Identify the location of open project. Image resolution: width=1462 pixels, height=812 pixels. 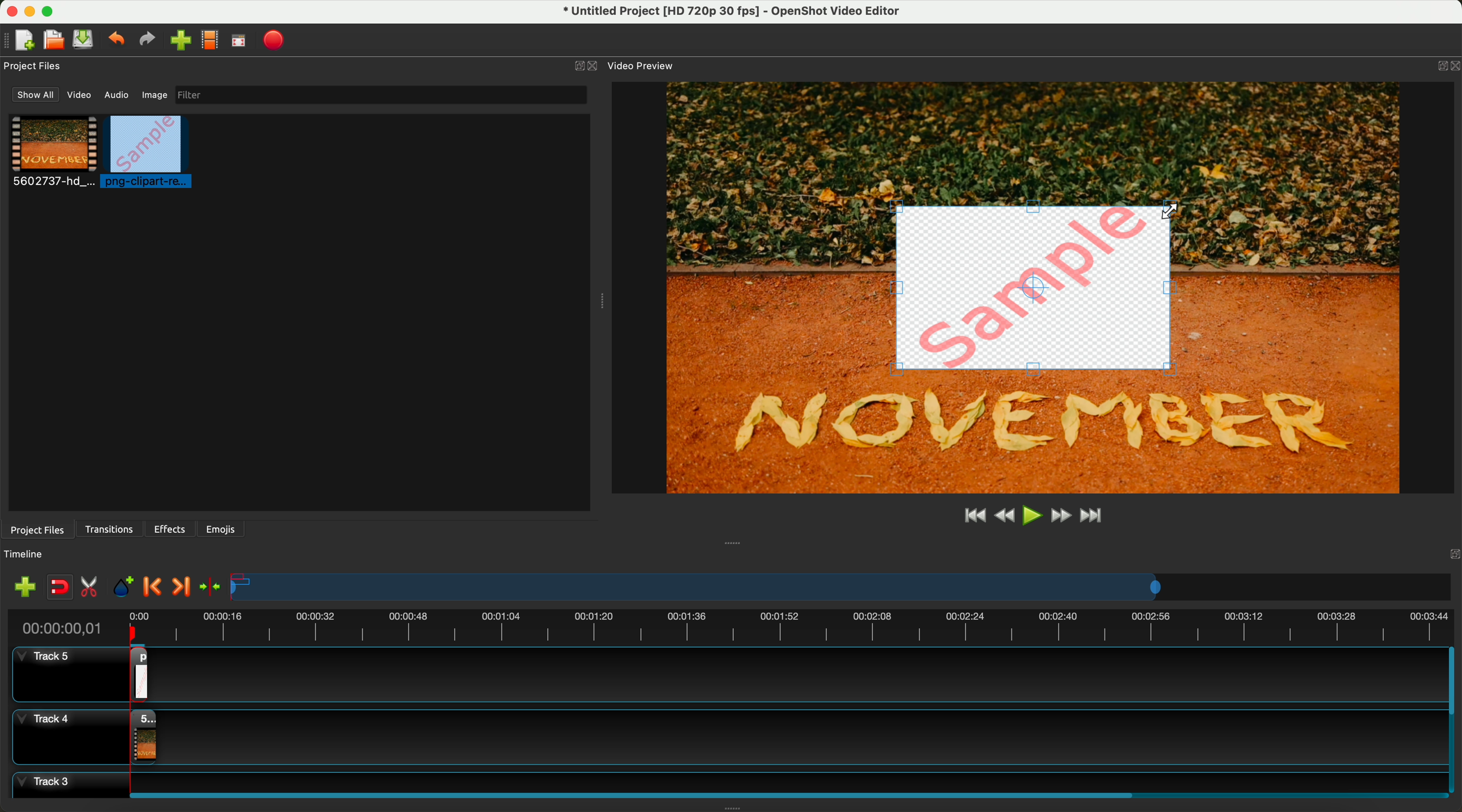
(53, 41).